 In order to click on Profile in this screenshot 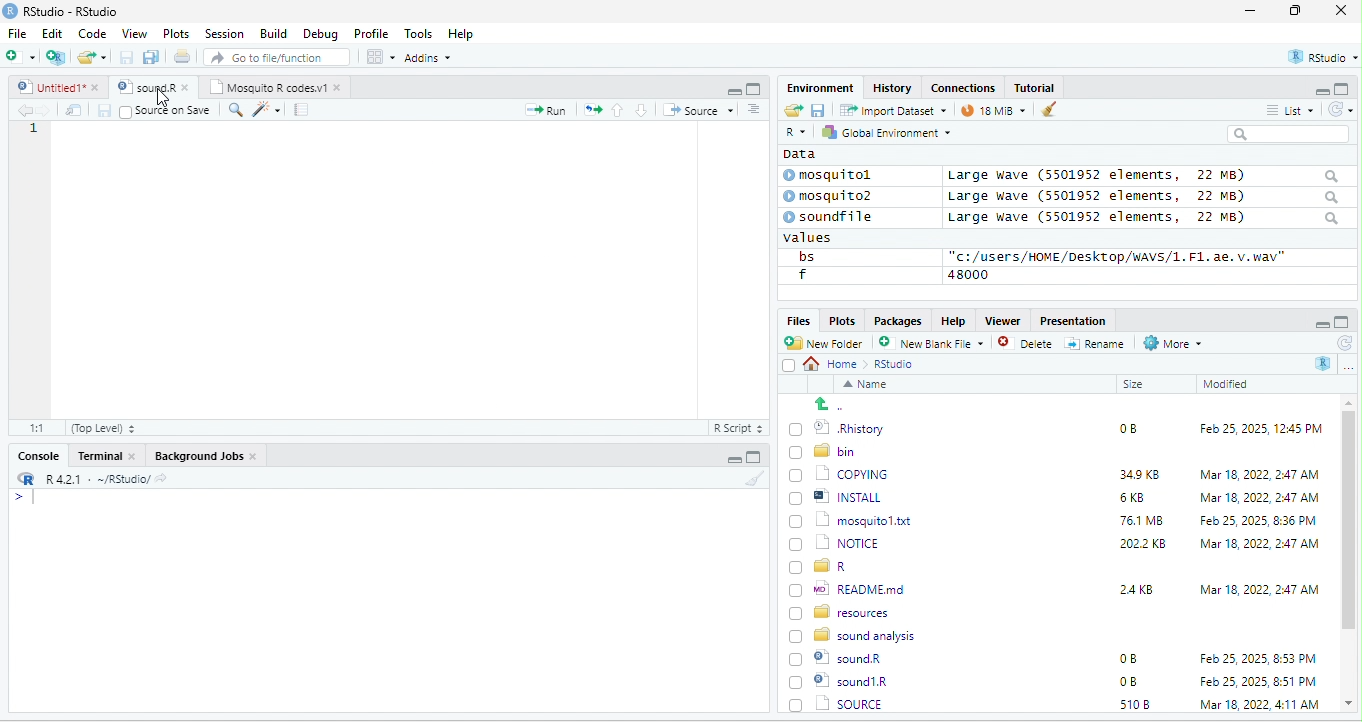, I will do `click(371, 34)`.